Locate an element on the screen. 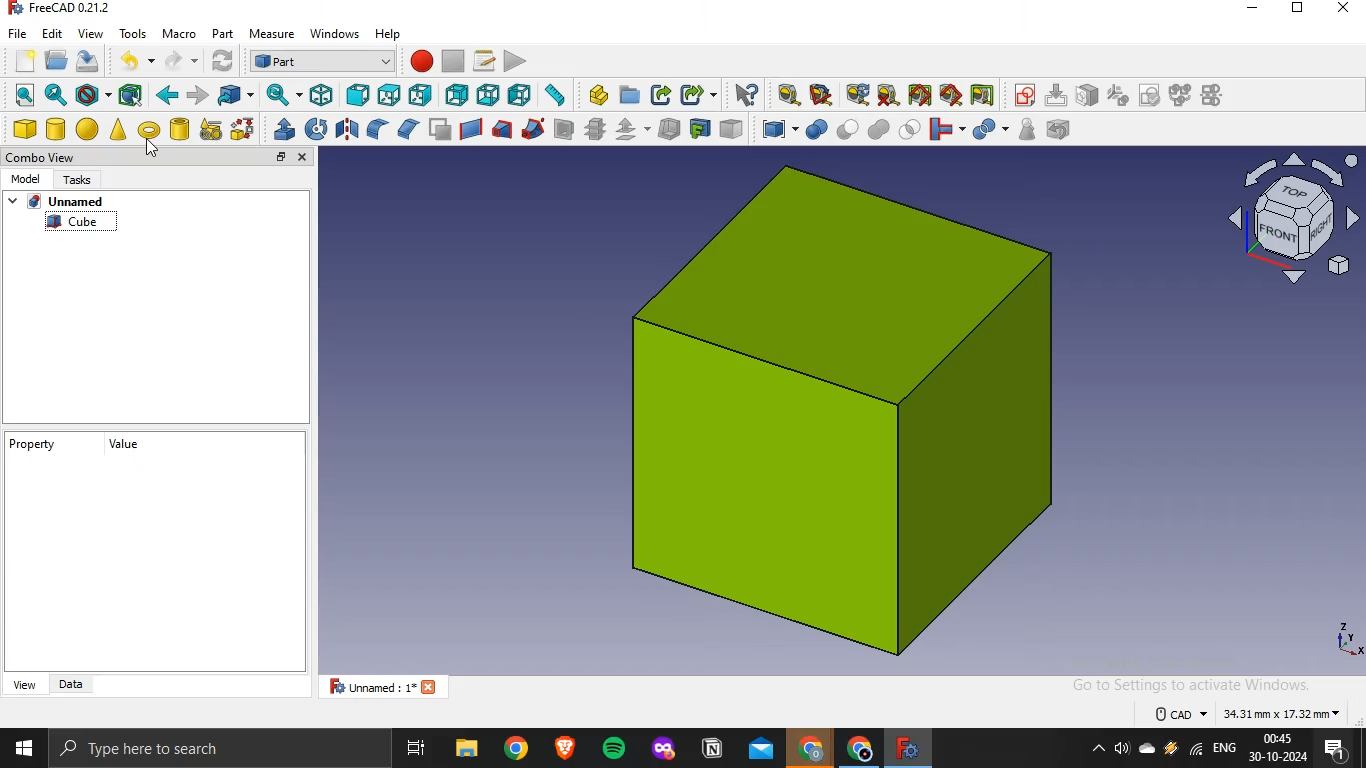  data is located at coordinates (76, 684).